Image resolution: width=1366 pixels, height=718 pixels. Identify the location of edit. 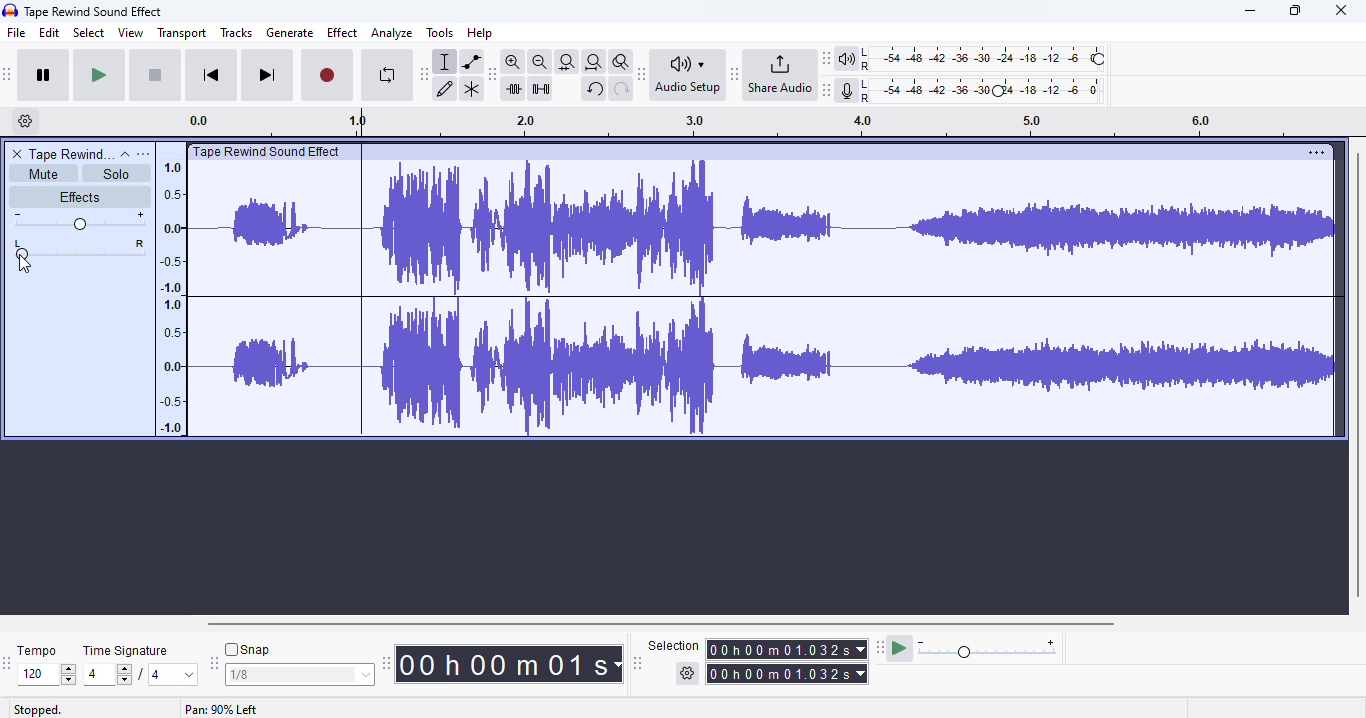
(49, 32).